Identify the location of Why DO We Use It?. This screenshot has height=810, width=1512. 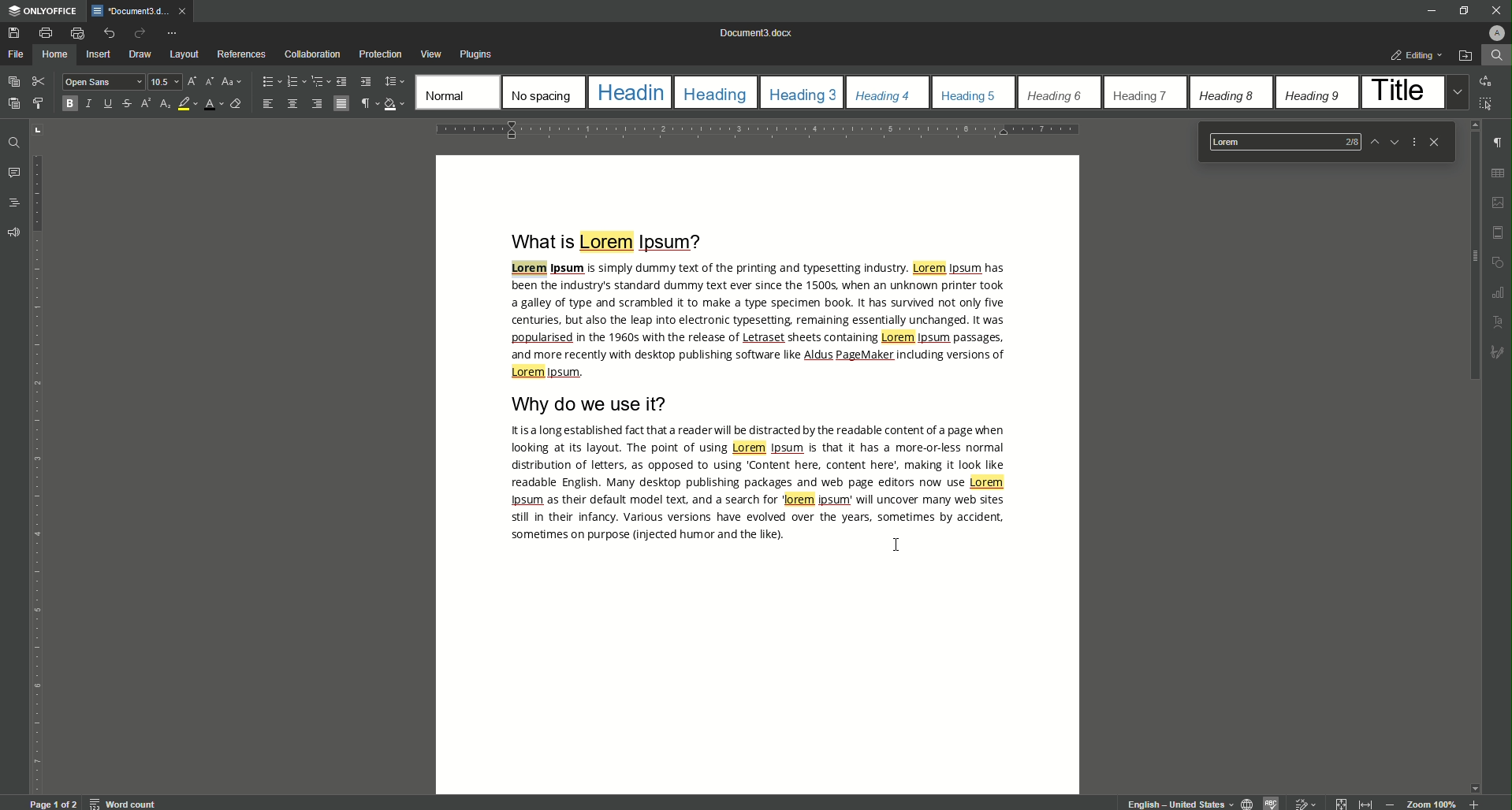
(595, 405).